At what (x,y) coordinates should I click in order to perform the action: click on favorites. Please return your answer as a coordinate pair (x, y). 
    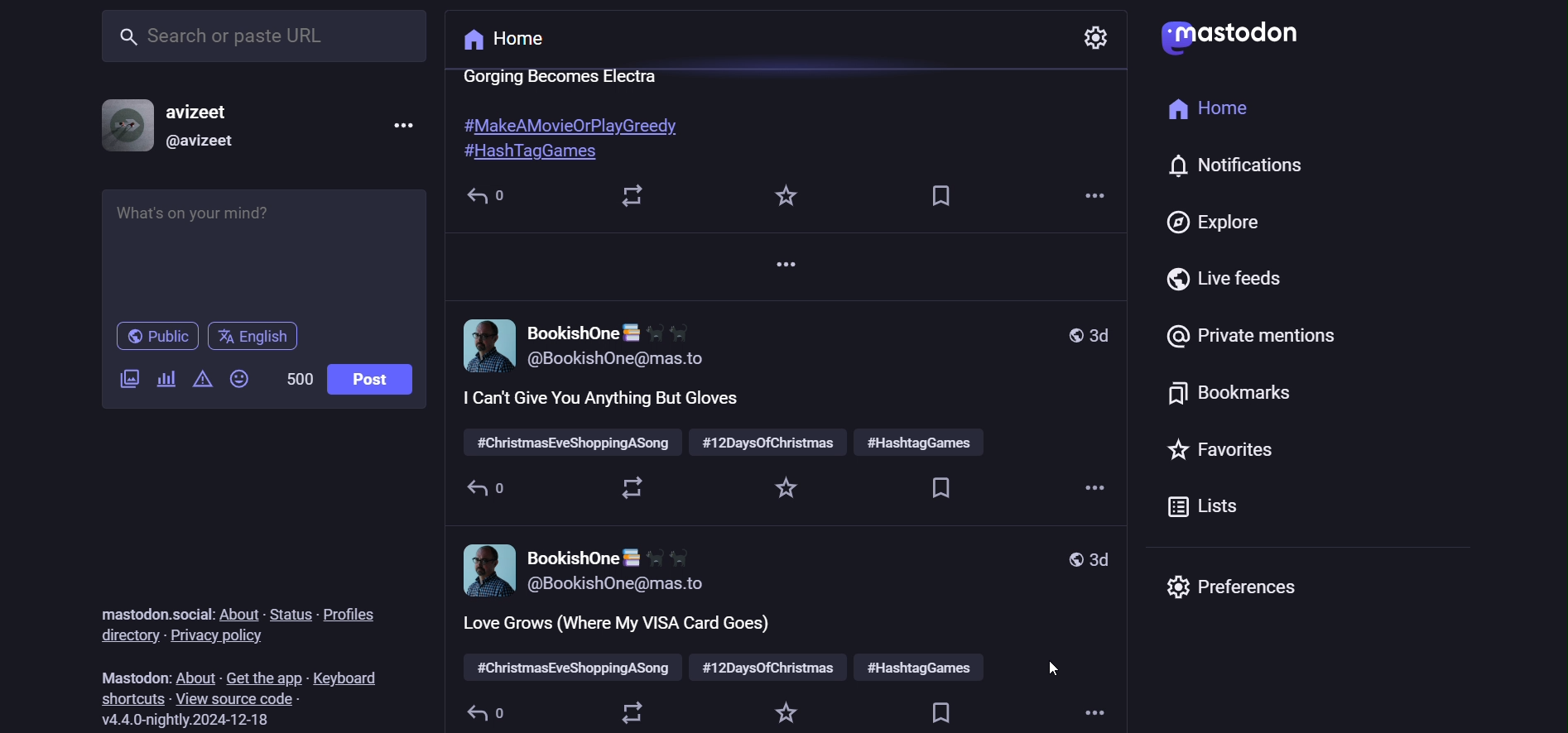
    Looking at the image, I should click on (1223, 448).